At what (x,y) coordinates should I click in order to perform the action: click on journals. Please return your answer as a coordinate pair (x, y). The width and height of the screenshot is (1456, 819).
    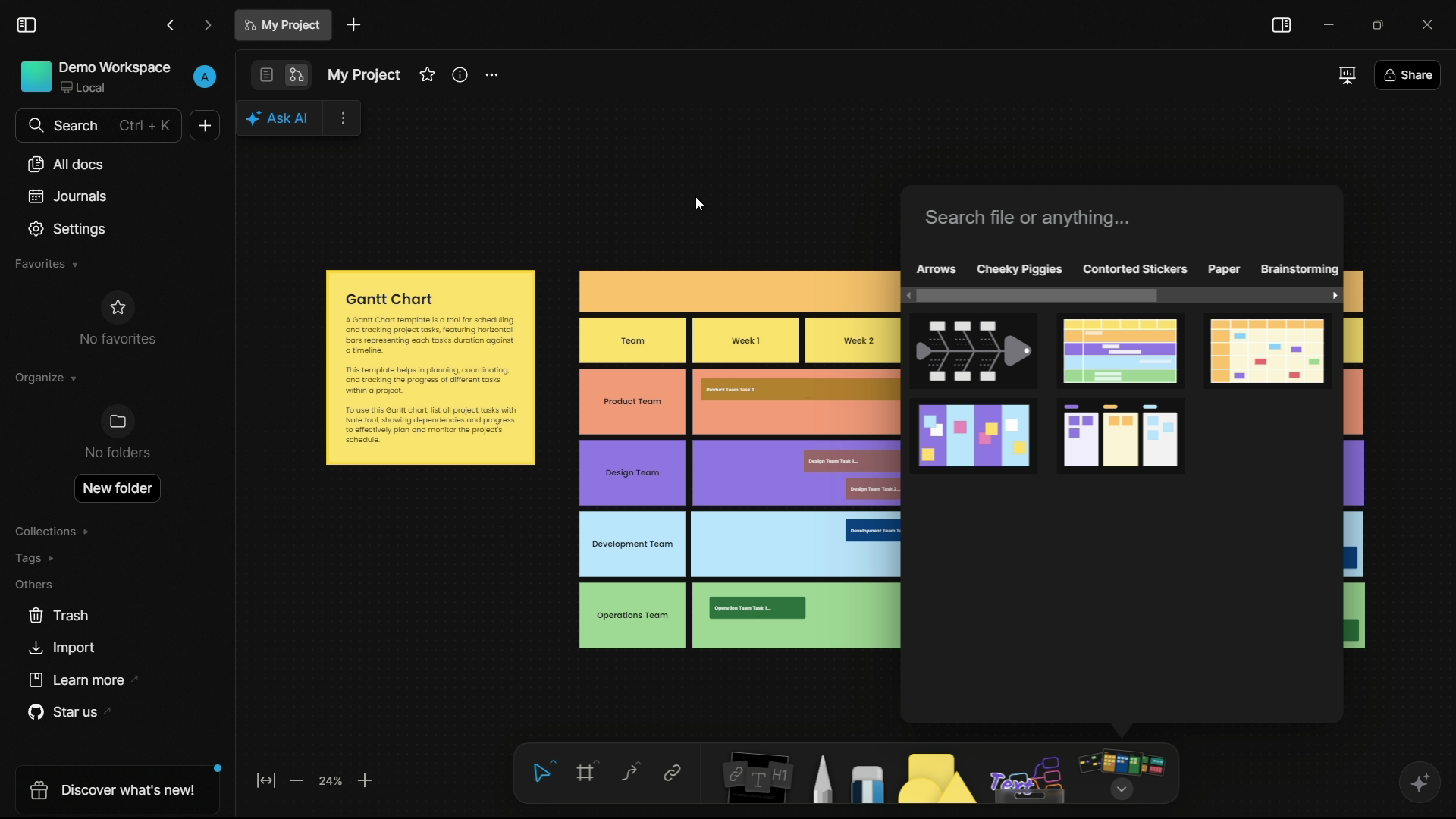
    Looking at the image, I should click on (65, 196).